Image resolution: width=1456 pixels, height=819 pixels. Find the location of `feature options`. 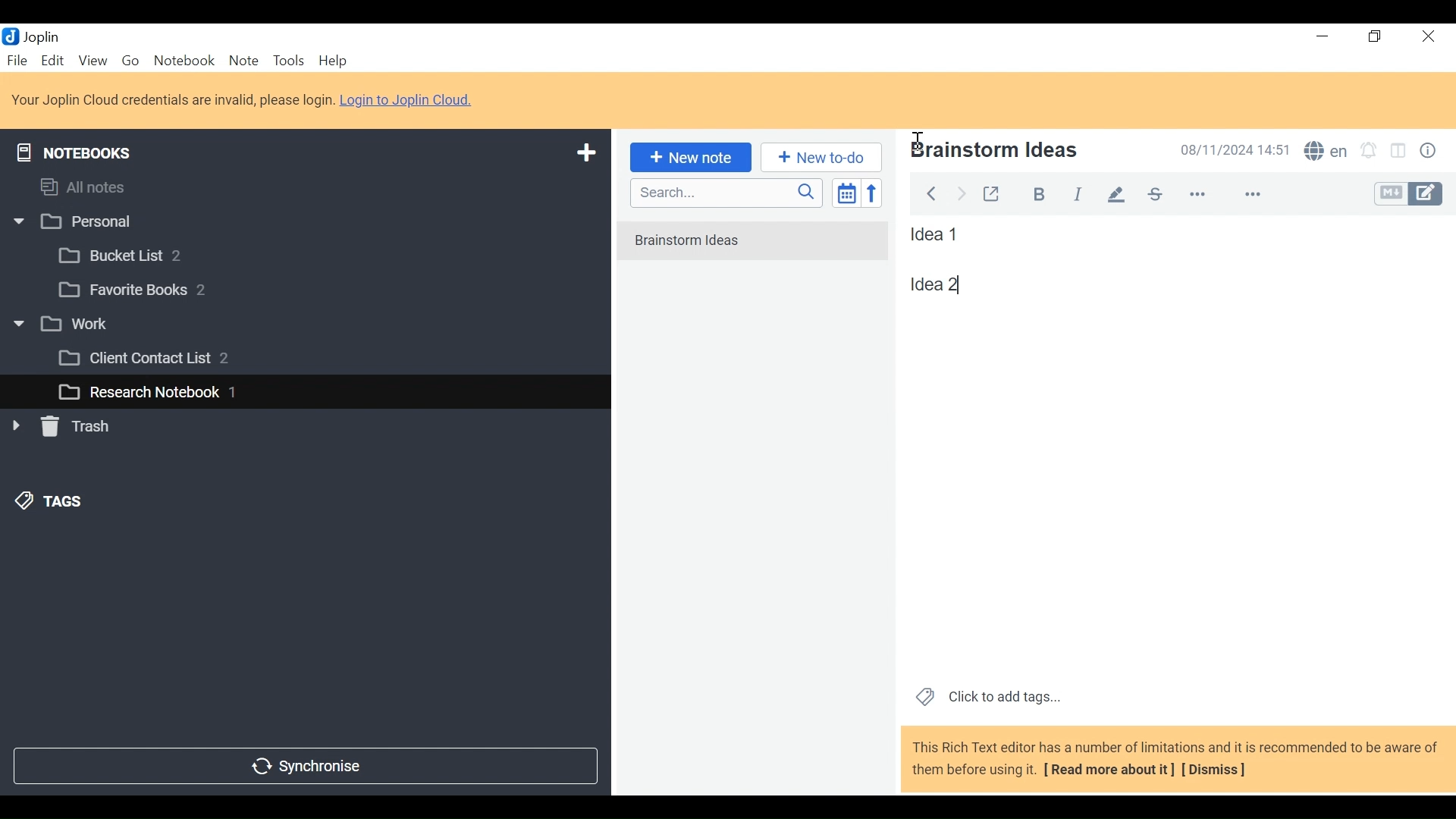

feature options is located at coordinates (1260, 196).